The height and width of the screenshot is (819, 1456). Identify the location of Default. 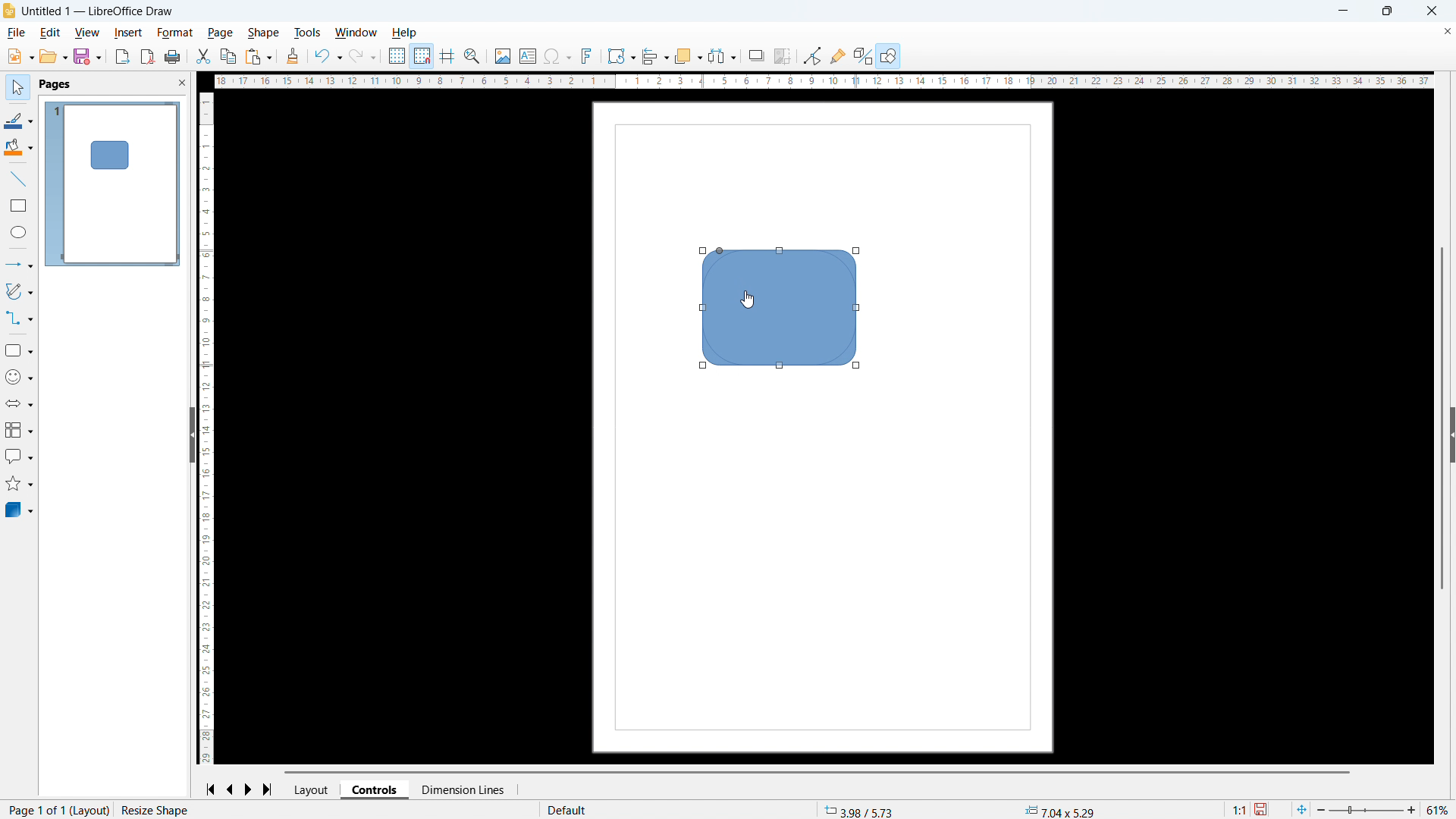
(570, 810).